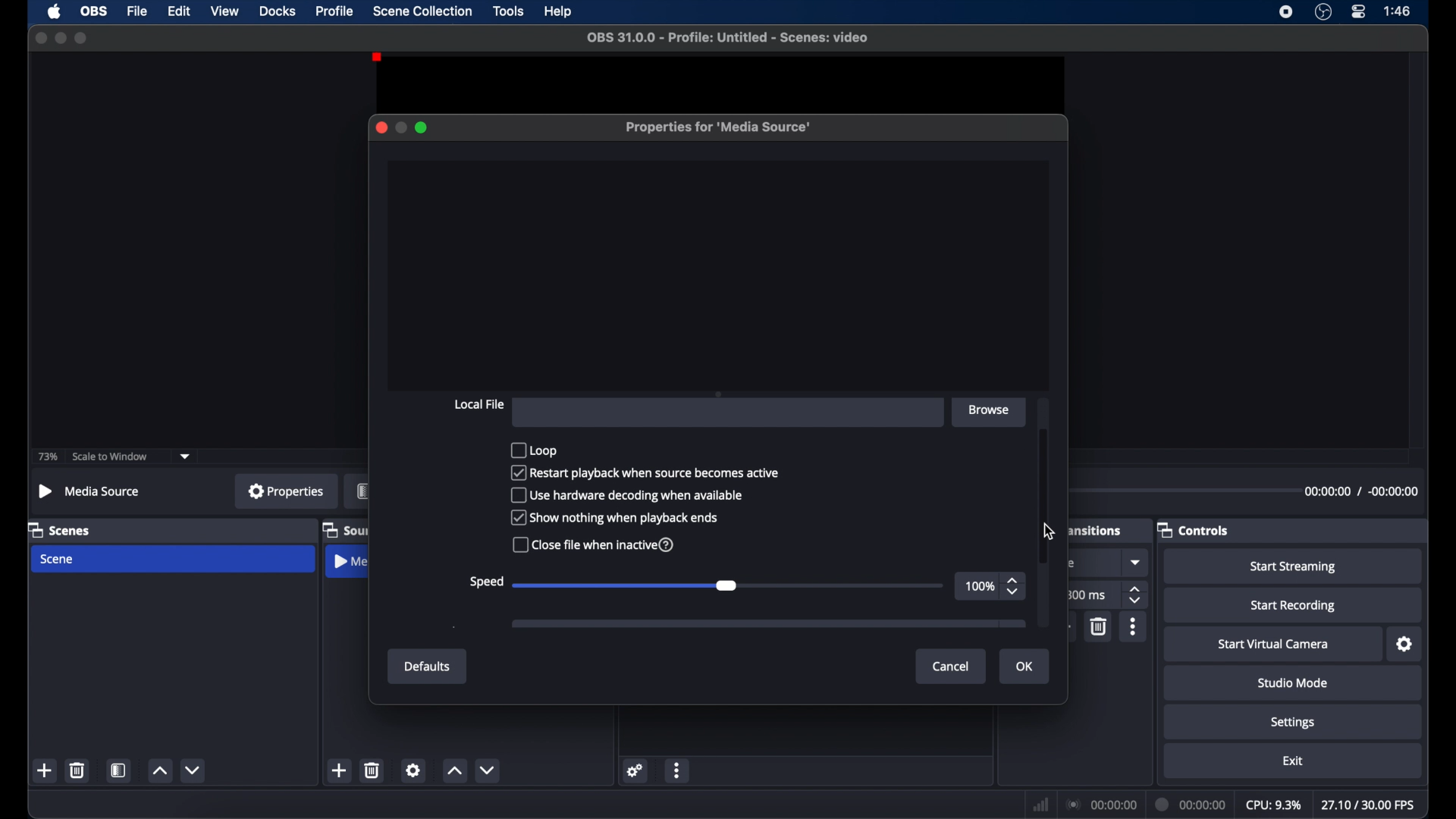 This screenshot has width=1456, height=819. Describe the element at coordinates (1192, 531) in the screenshot. I see `controls` at that location.